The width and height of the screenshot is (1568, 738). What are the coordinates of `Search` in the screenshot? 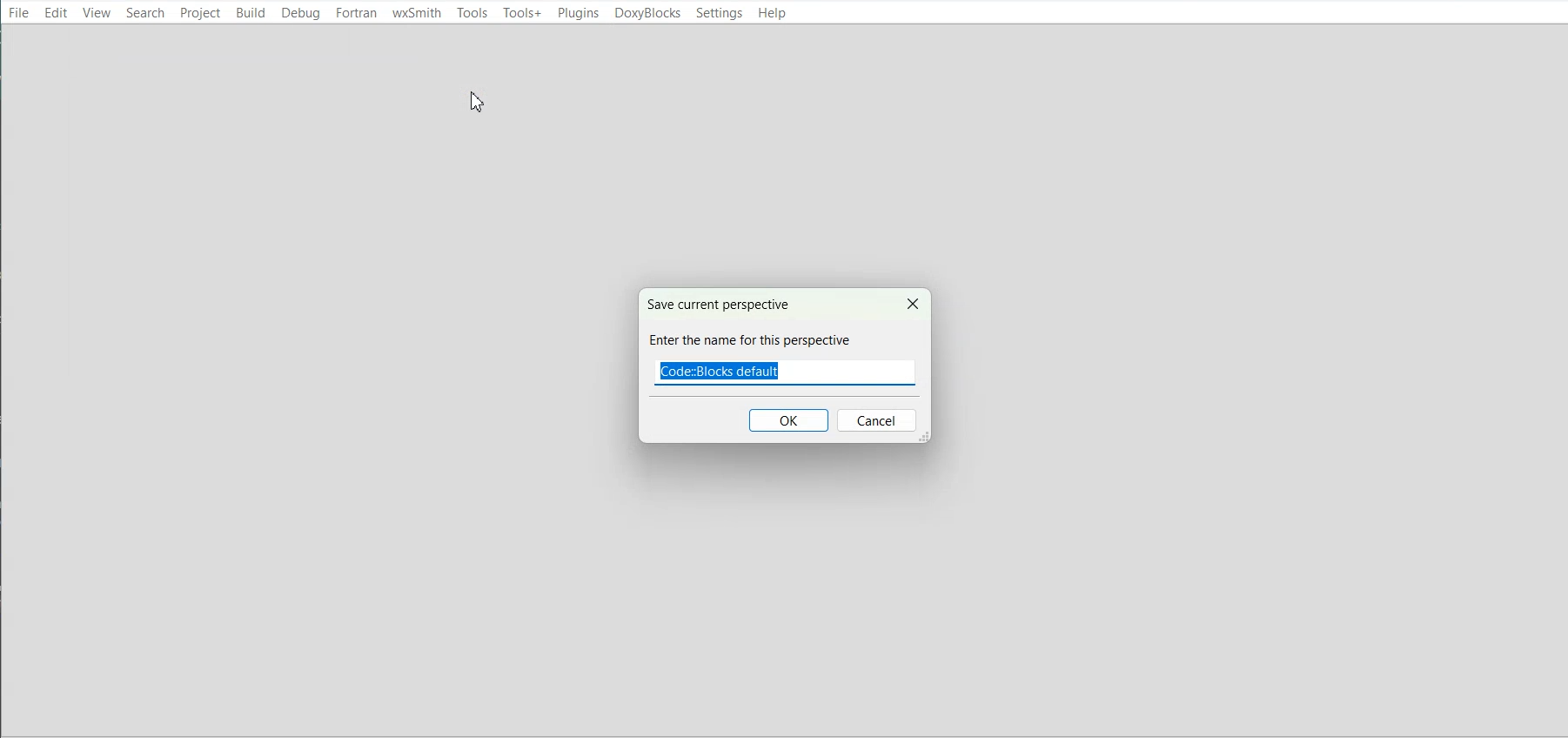 It's located at (145, 12).